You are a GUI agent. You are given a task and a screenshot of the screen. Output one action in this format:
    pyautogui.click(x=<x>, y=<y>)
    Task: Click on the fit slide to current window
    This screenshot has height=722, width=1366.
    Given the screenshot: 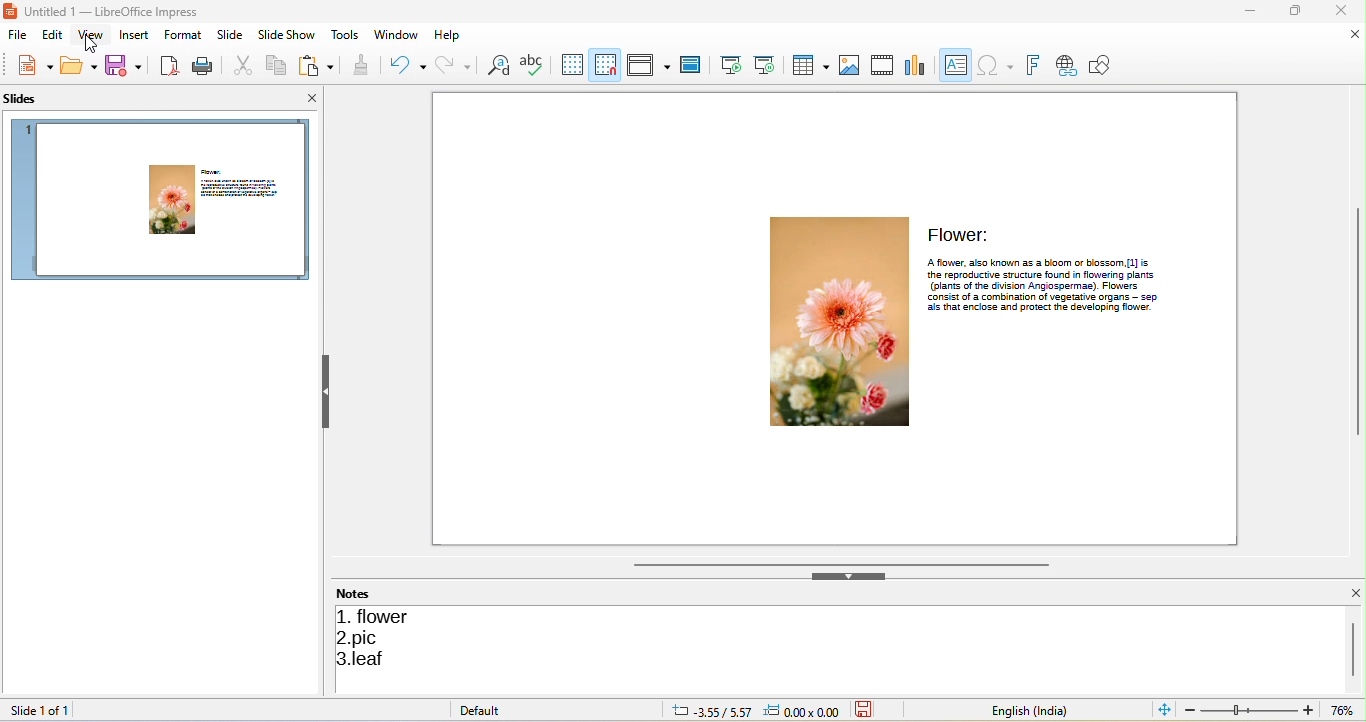 What is the action you would take?
    pyautogui.click(x=1162, y=710)
    